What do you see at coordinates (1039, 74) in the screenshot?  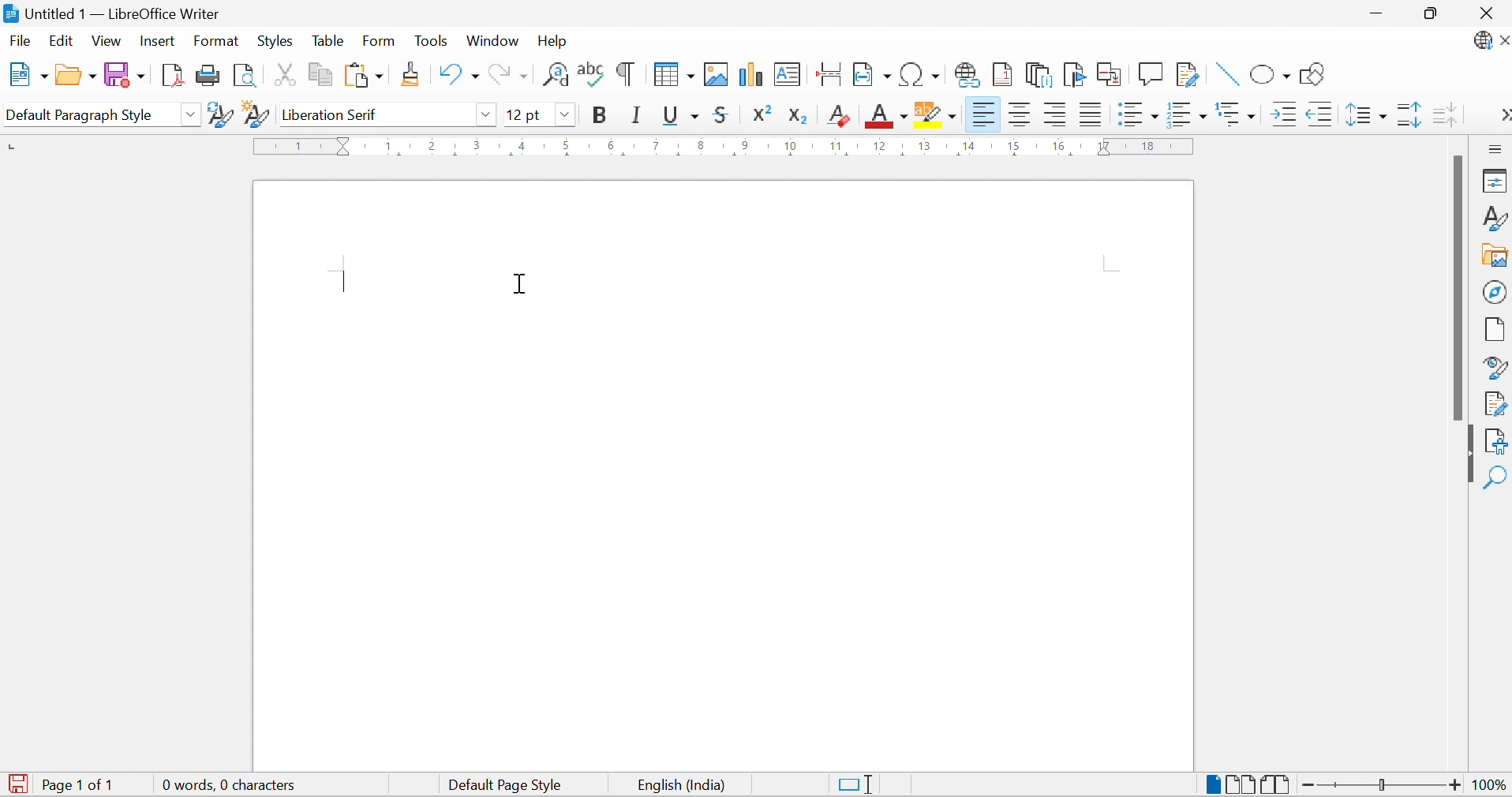 I see `Insert Endnote` at bounding box center [1039, 74].